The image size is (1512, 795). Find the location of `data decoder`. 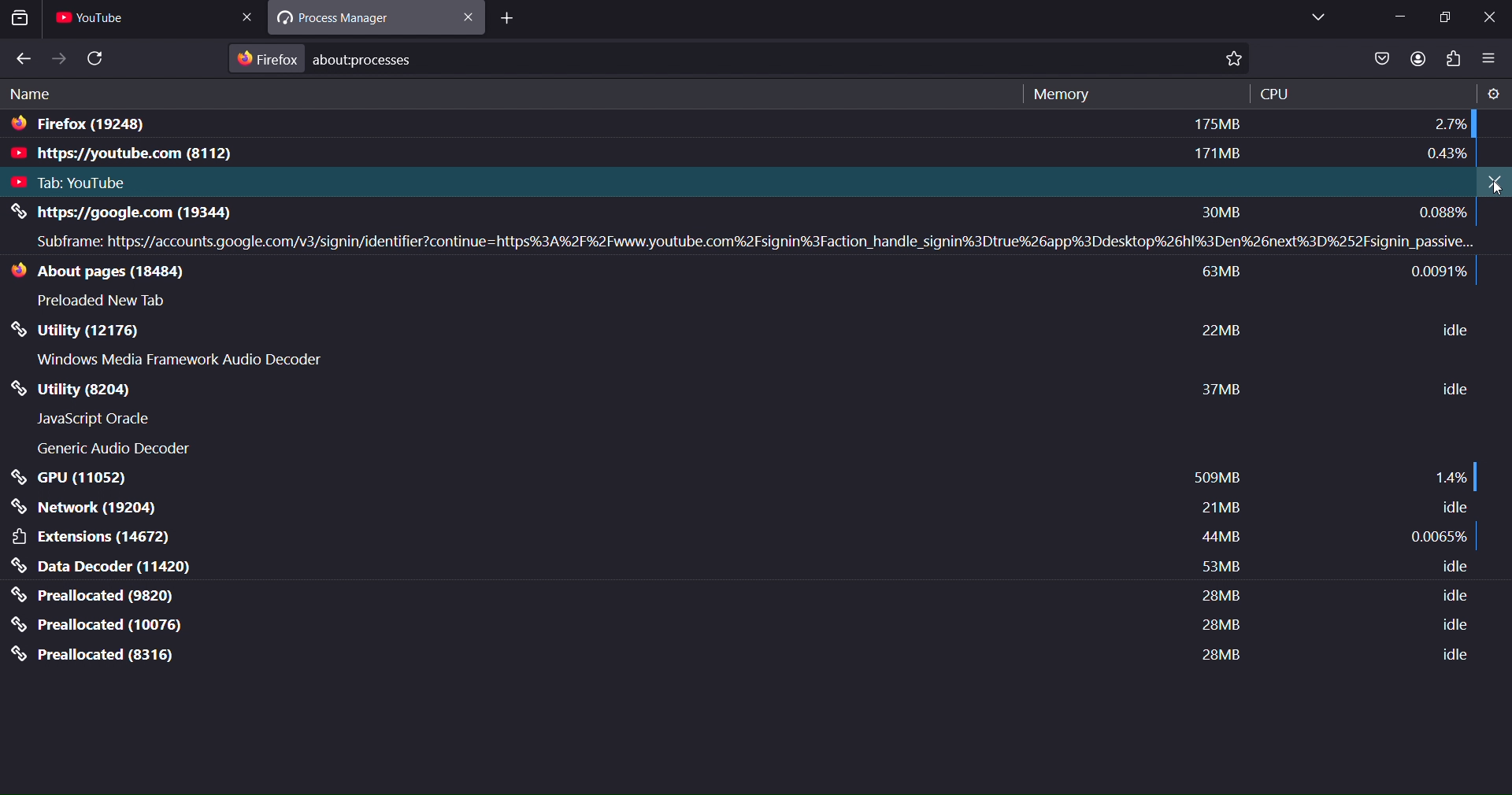

data decoder is located at coordinates (102, 567).